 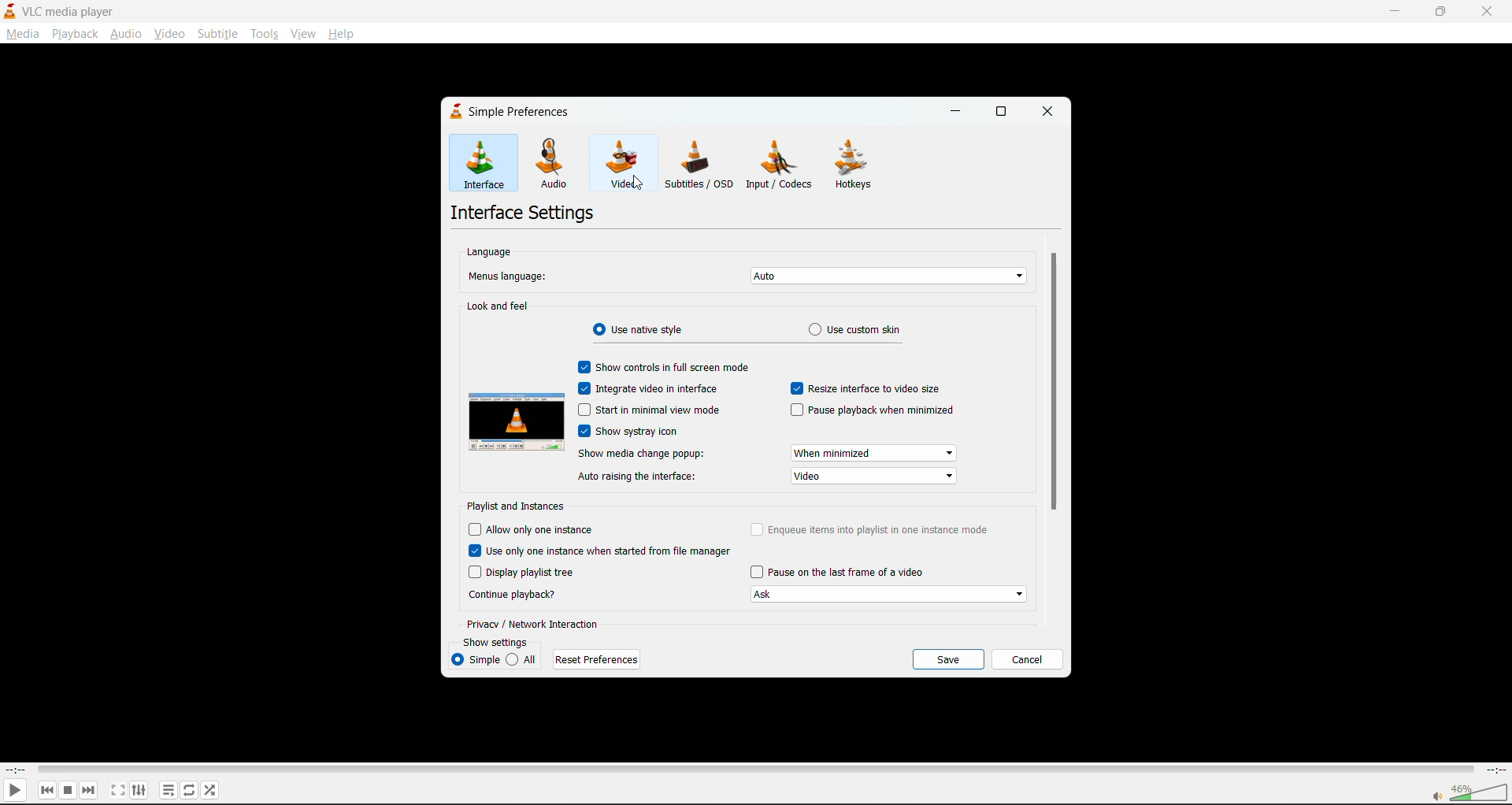 What do you see at coordinates (768, 453) in the screenshot?
I see `show media change popup` at bounding box center [768, 453].